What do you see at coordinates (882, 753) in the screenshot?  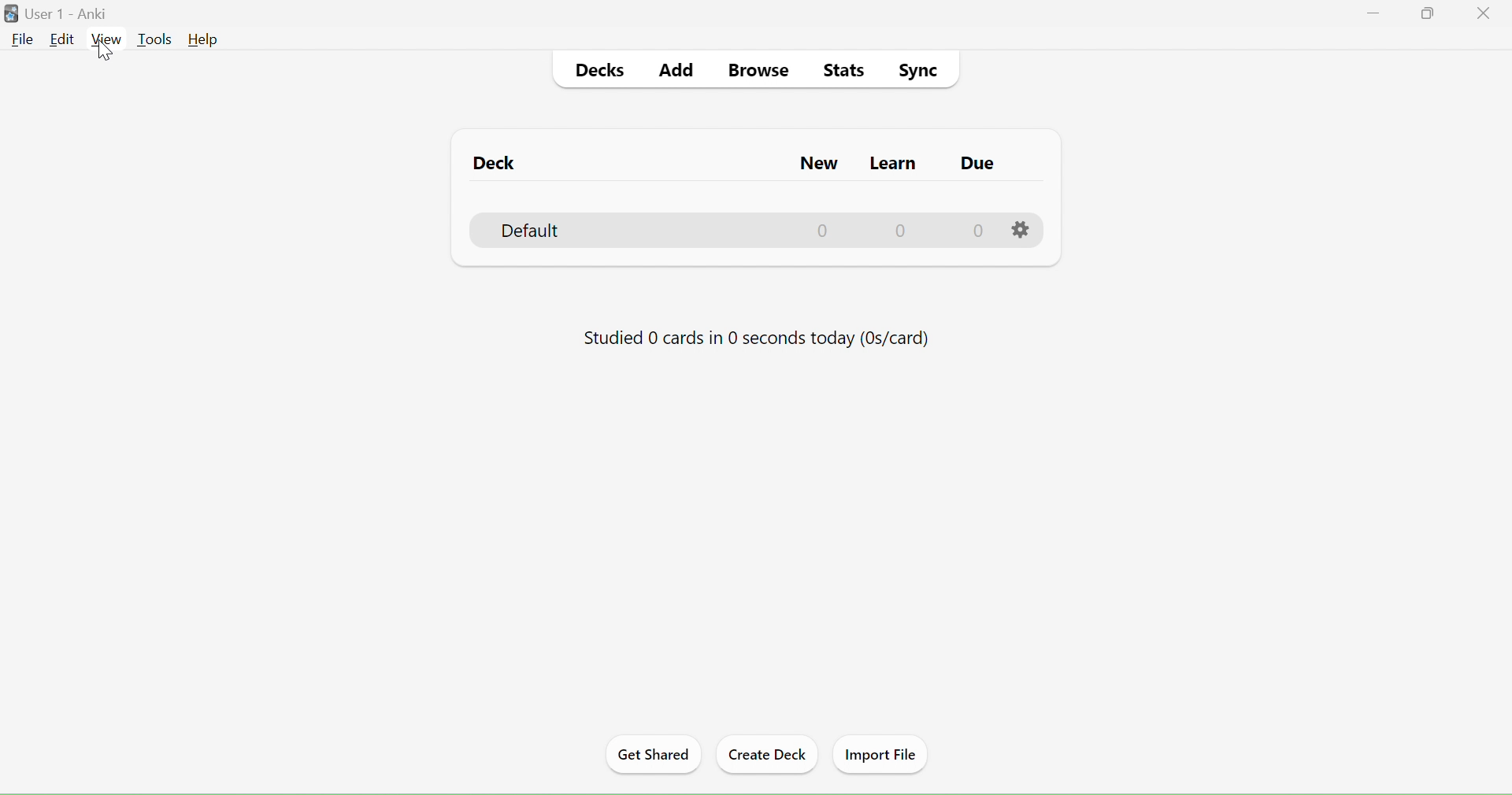 I see `import file` at bounding box center [882, 753].